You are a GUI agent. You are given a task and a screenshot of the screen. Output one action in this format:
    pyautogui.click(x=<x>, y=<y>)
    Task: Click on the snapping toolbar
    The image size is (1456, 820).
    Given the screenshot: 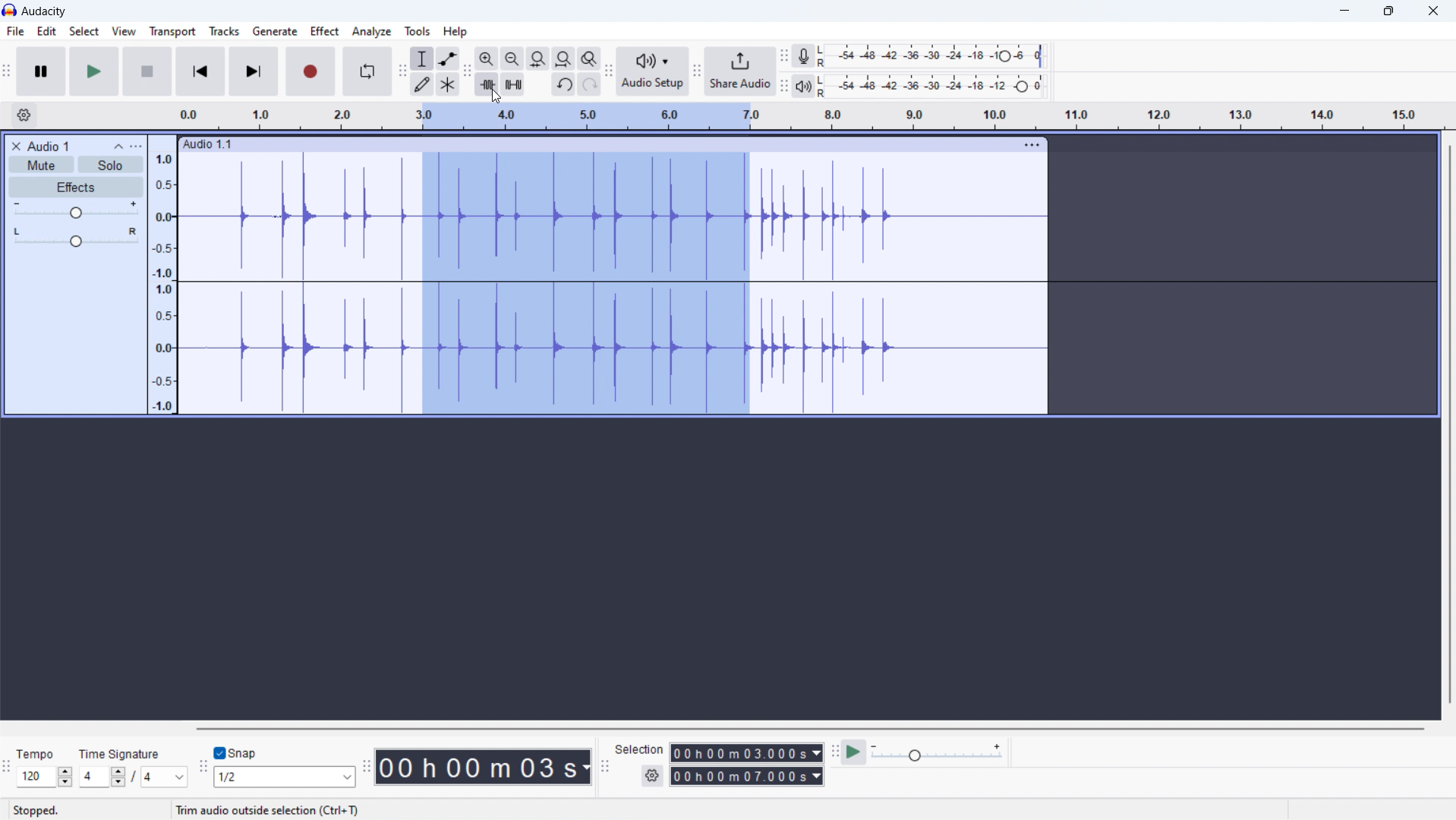 What is the action you would take?
    pyautogui.click(x=203, y=767)
    